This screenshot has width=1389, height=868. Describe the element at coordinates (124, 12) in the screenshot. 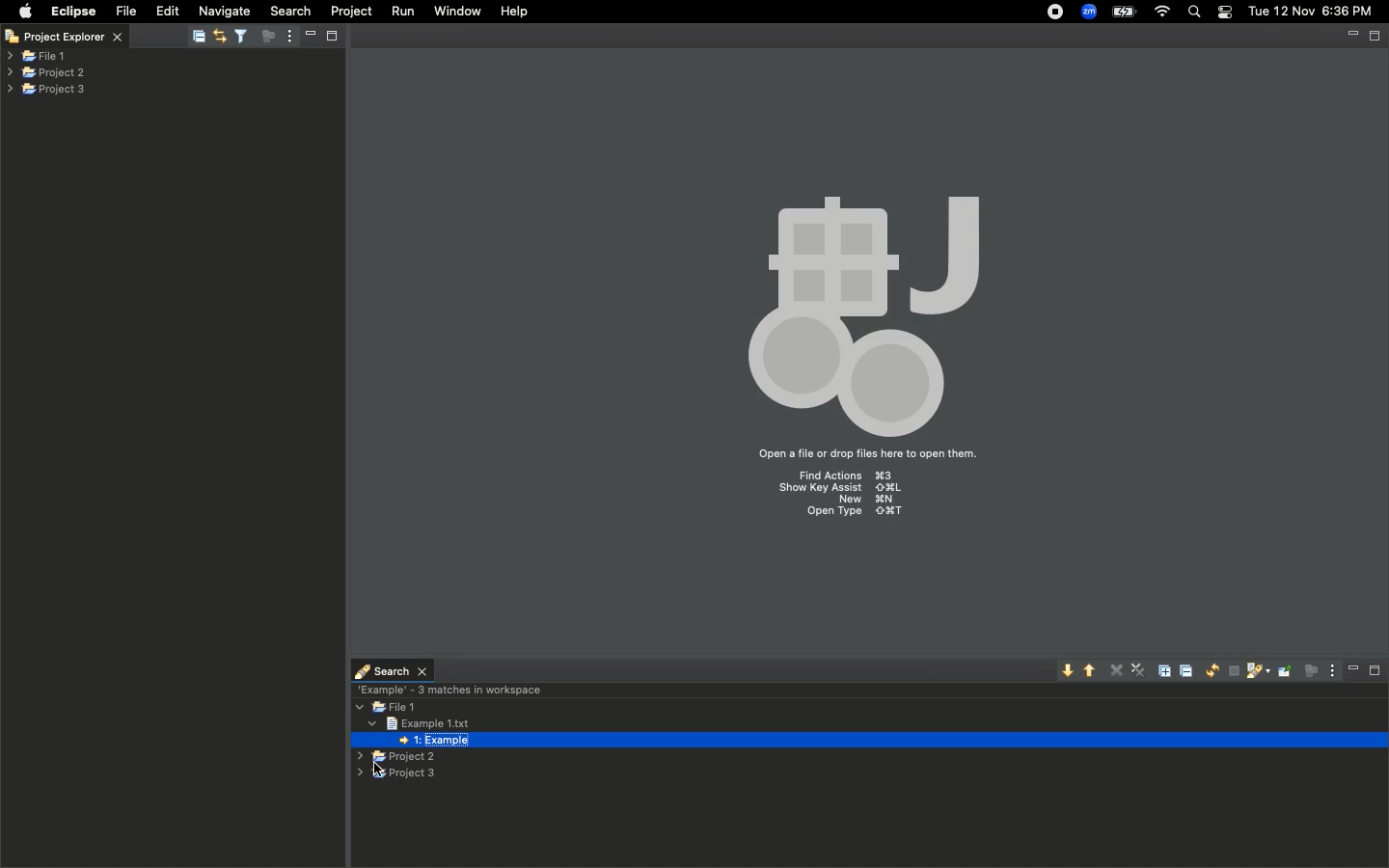

I see `File` at that location.